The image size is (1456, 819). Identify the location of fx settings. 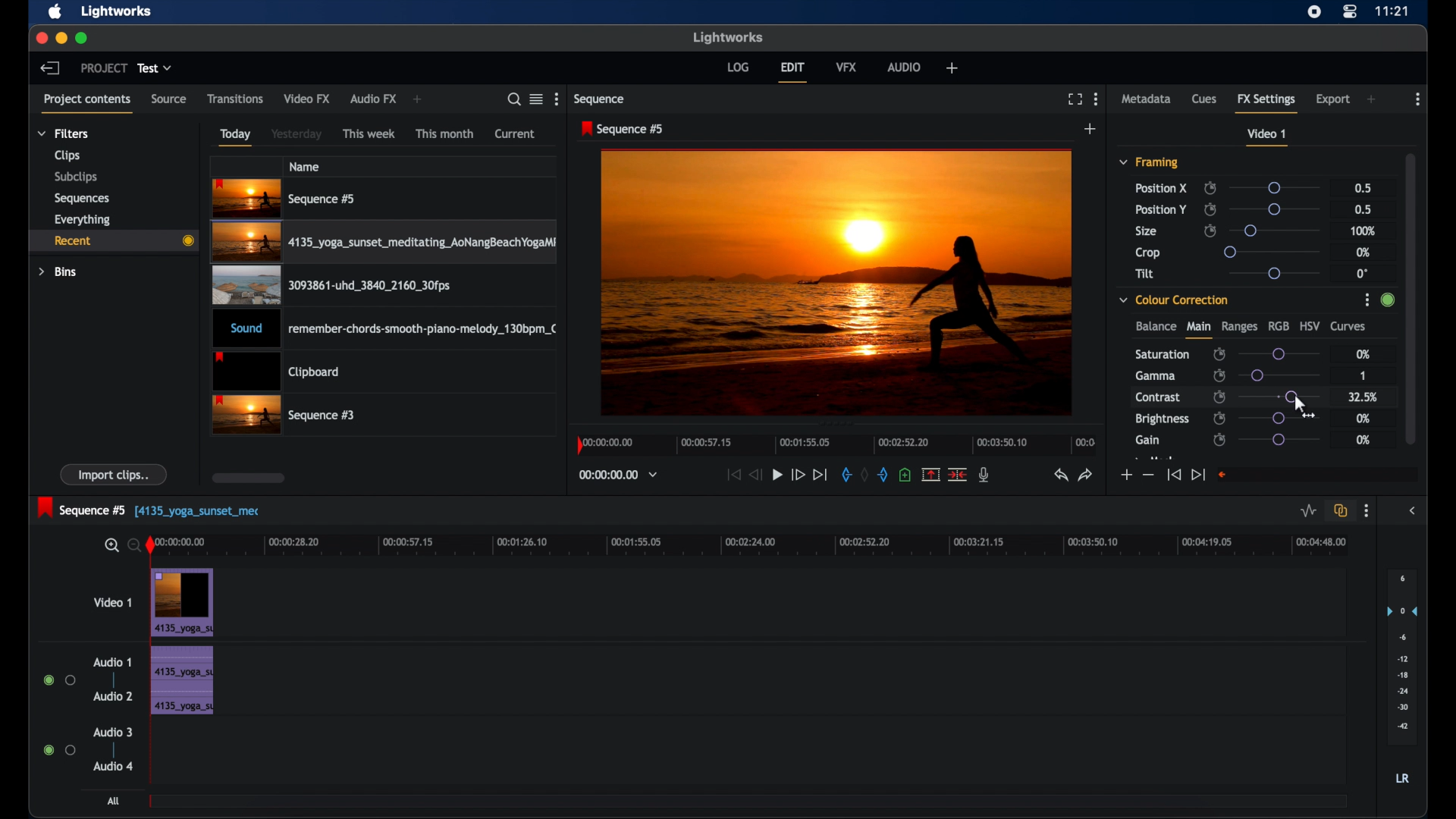
(1266, 101).